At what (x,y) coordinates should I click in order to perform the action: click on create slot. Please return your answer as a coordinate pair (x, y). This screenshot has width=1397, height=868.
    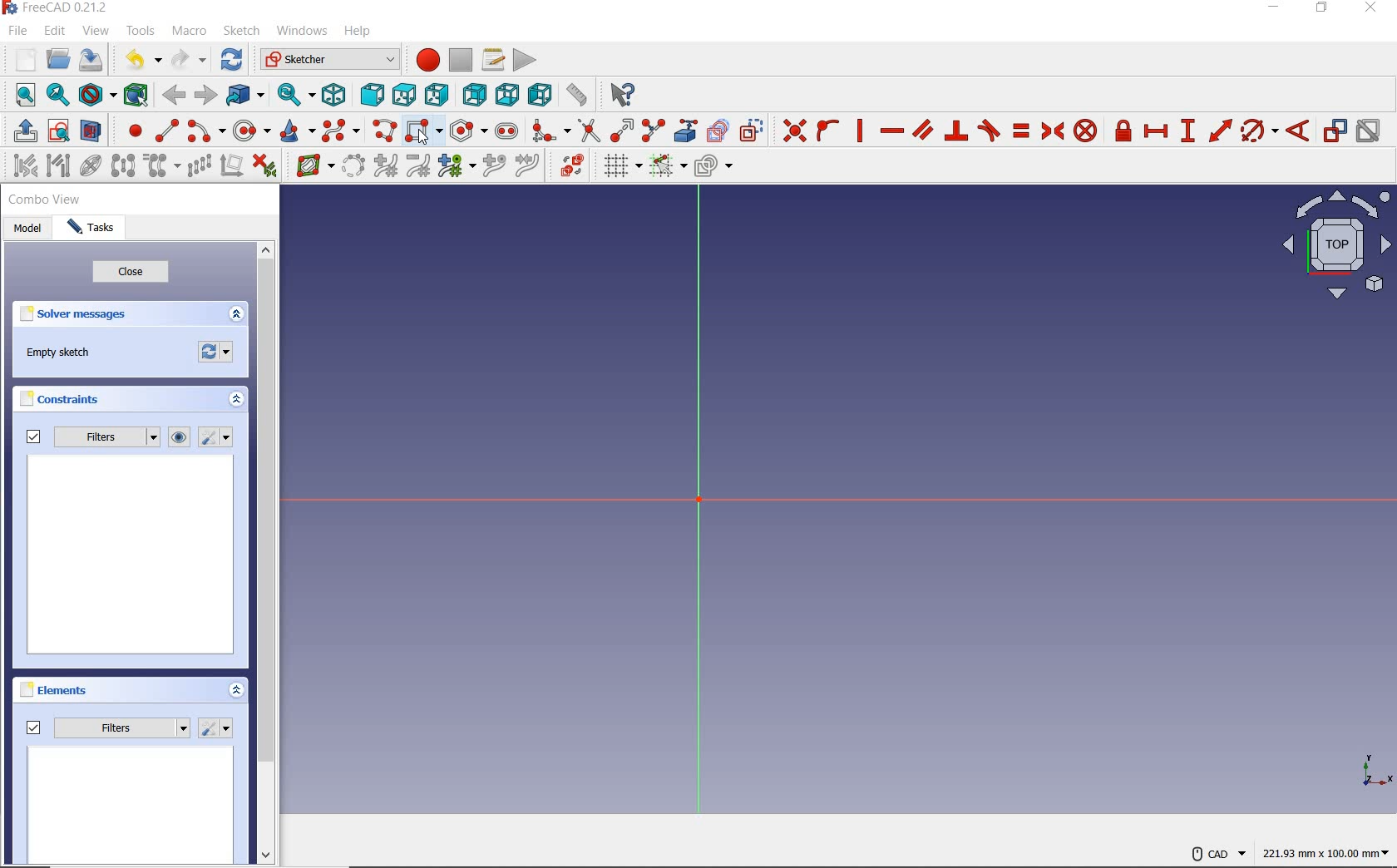
    Looking at the image, I should click on (507, 130).